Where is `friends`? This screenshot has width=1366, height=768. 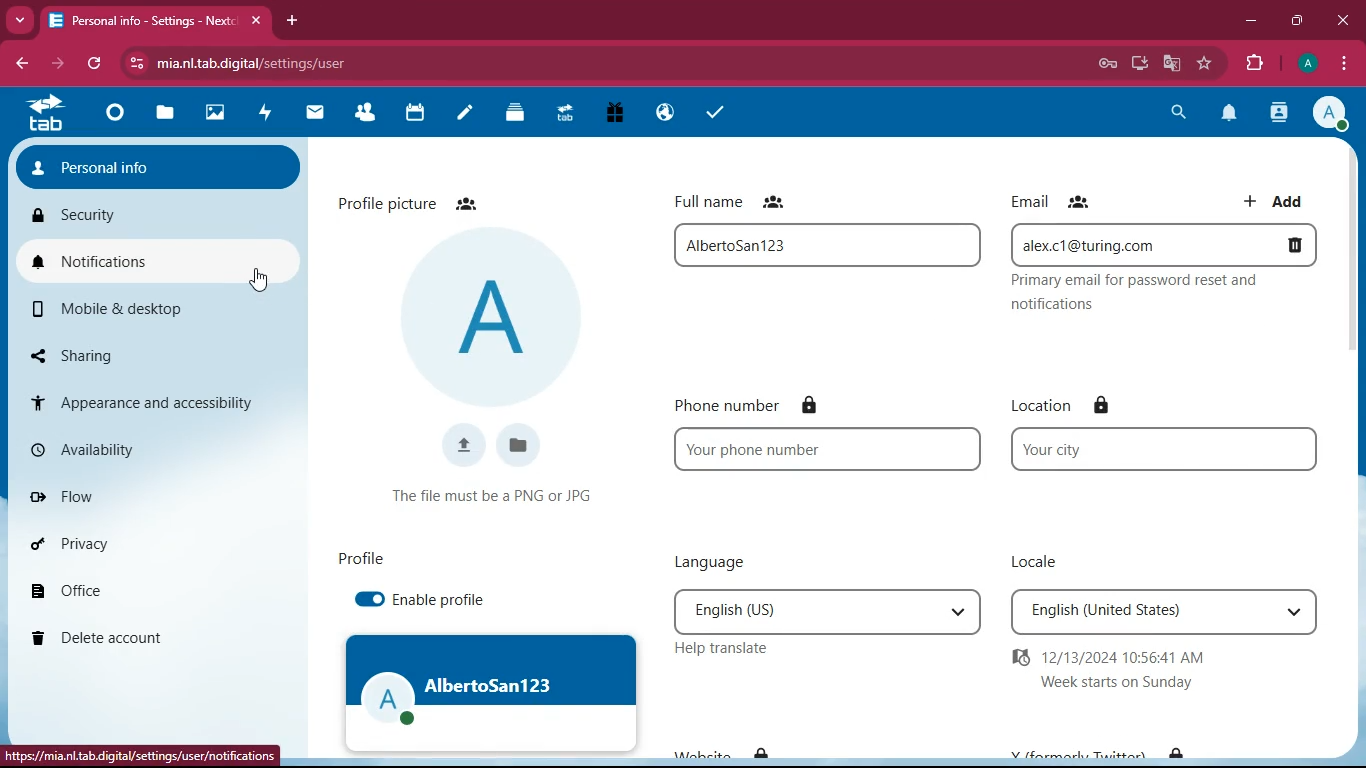
friends is located at coordinates (774, 202).